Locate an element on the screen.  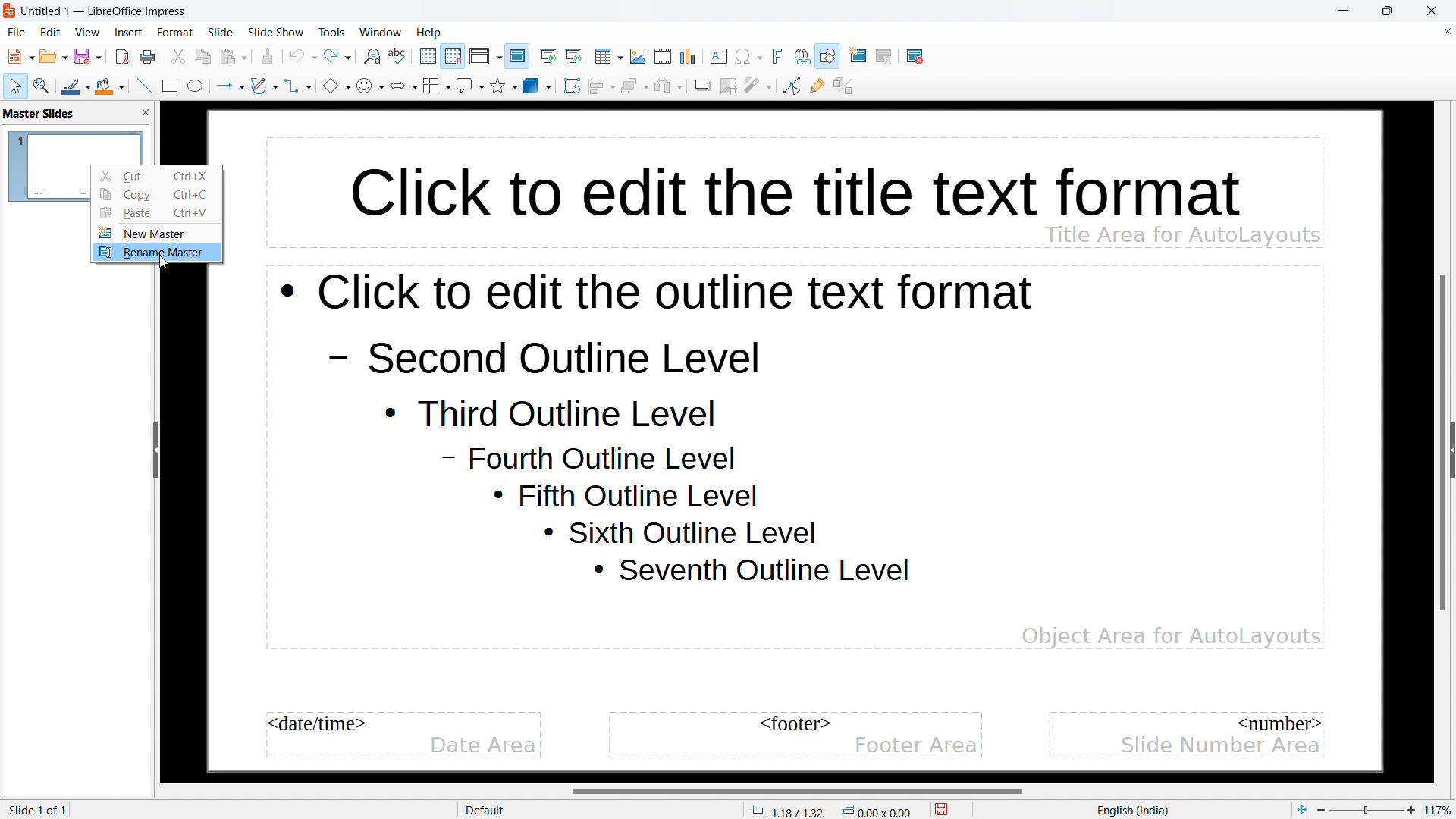
fit to page is located at coordinates (1301, 809).